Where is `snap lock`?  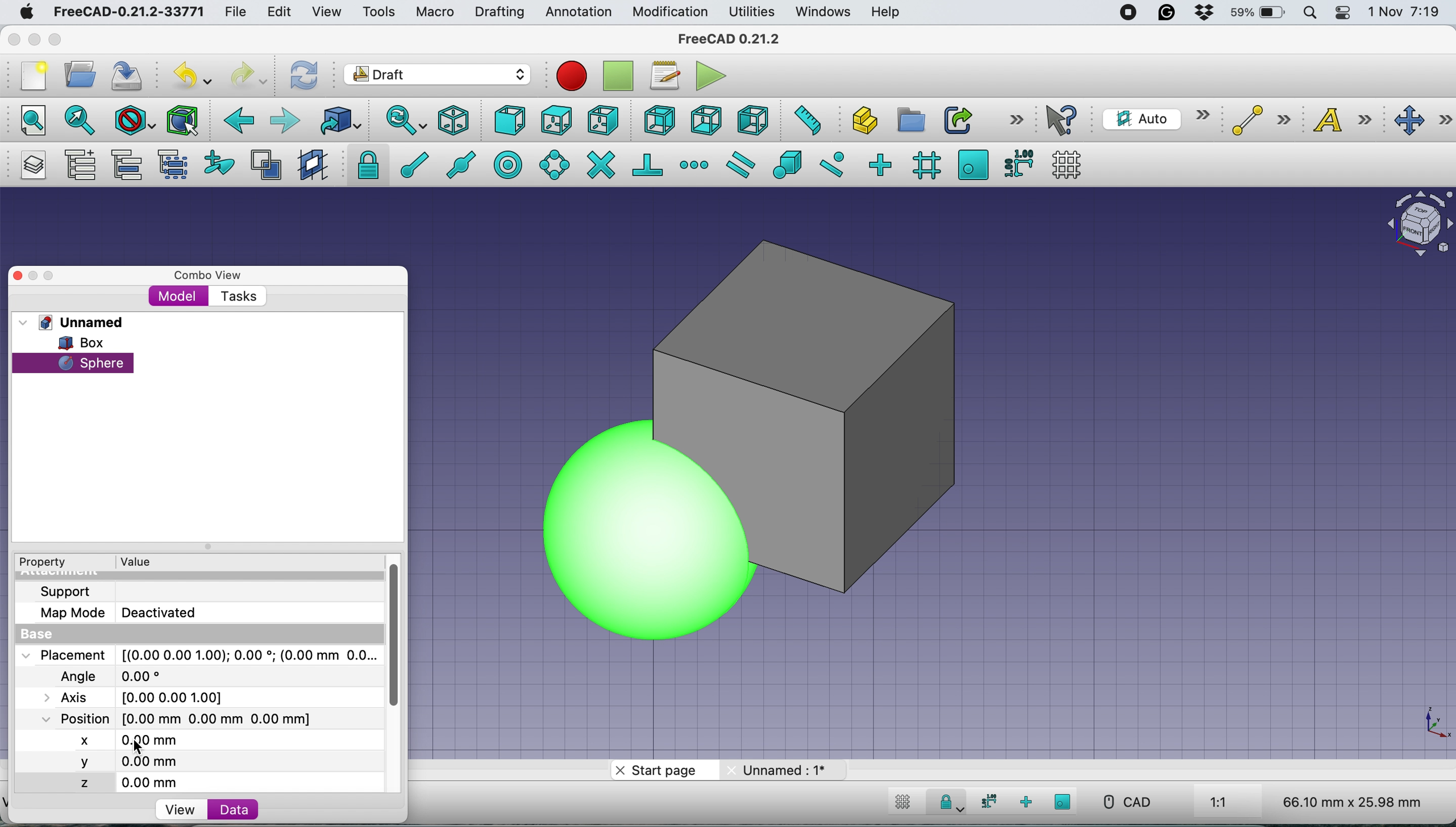
snap lock is located at coordinates (946, 804).